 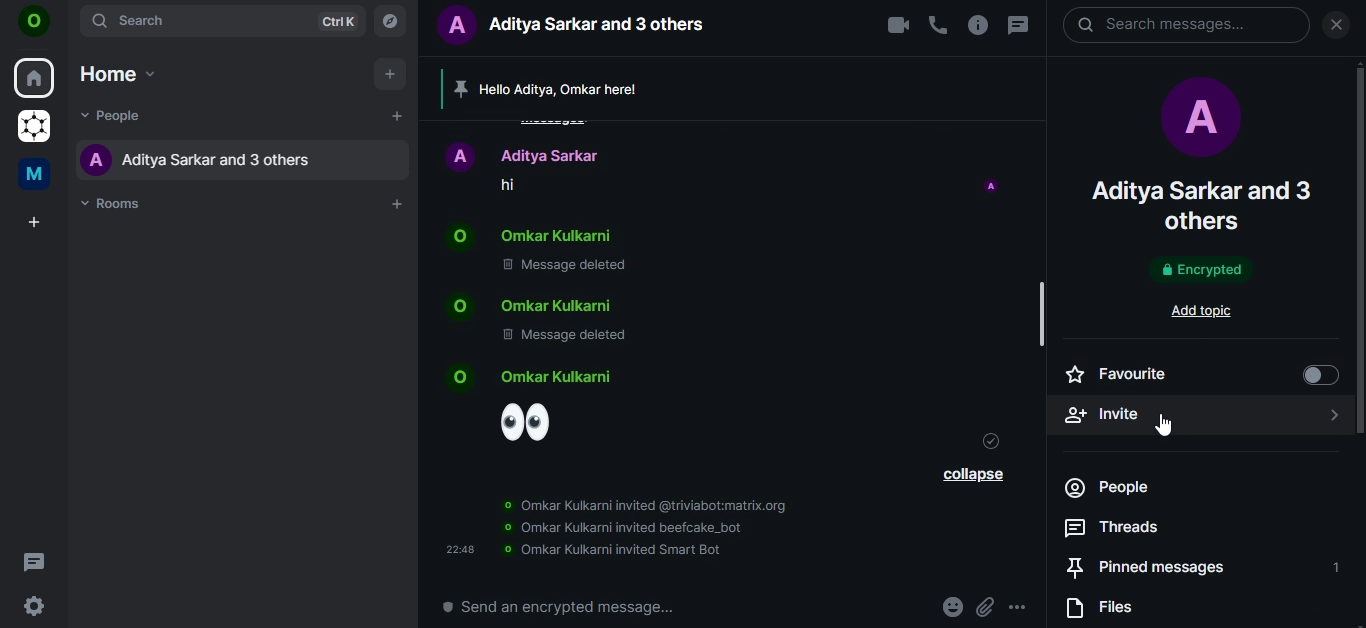 I want to click on  chat messages, so click(x=662, y=322).